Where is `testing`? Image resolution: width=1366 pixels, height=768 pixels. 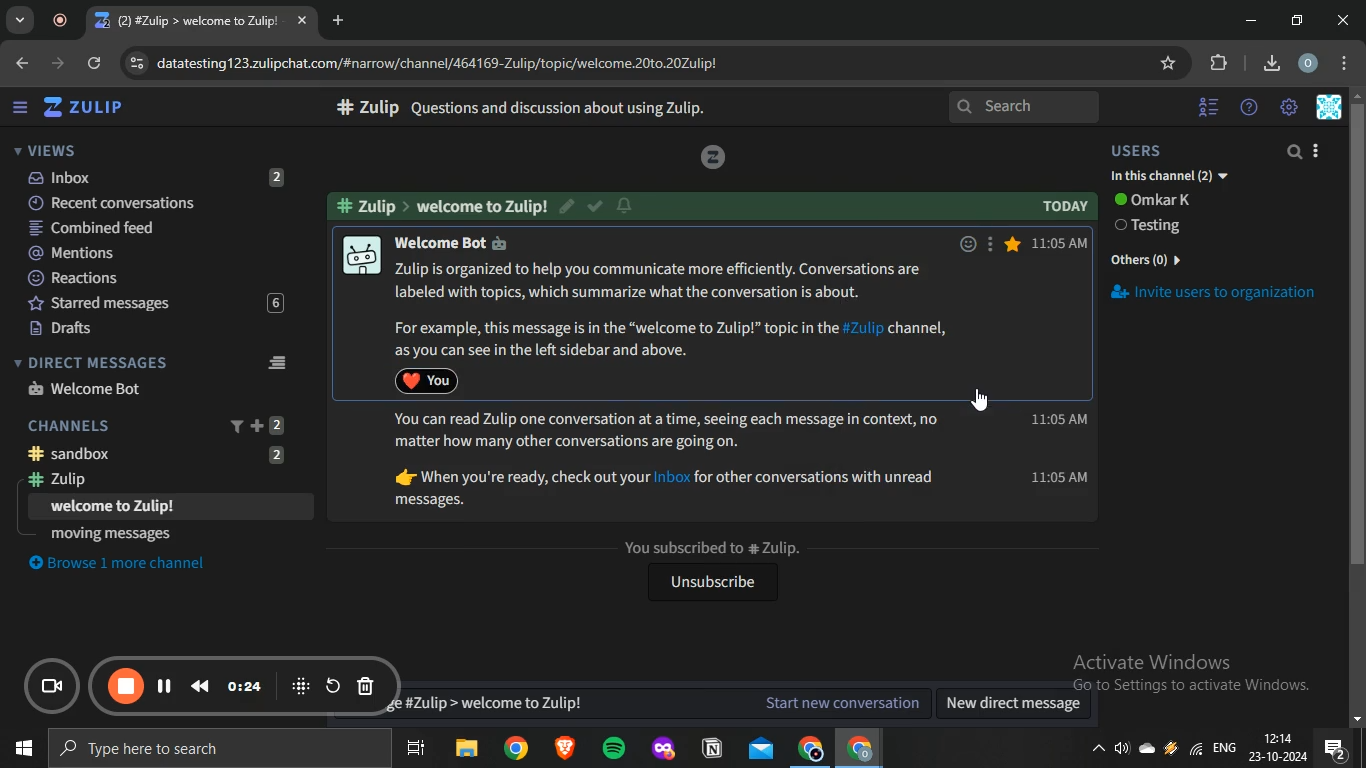 testing is located at coordinates (1153, 227).